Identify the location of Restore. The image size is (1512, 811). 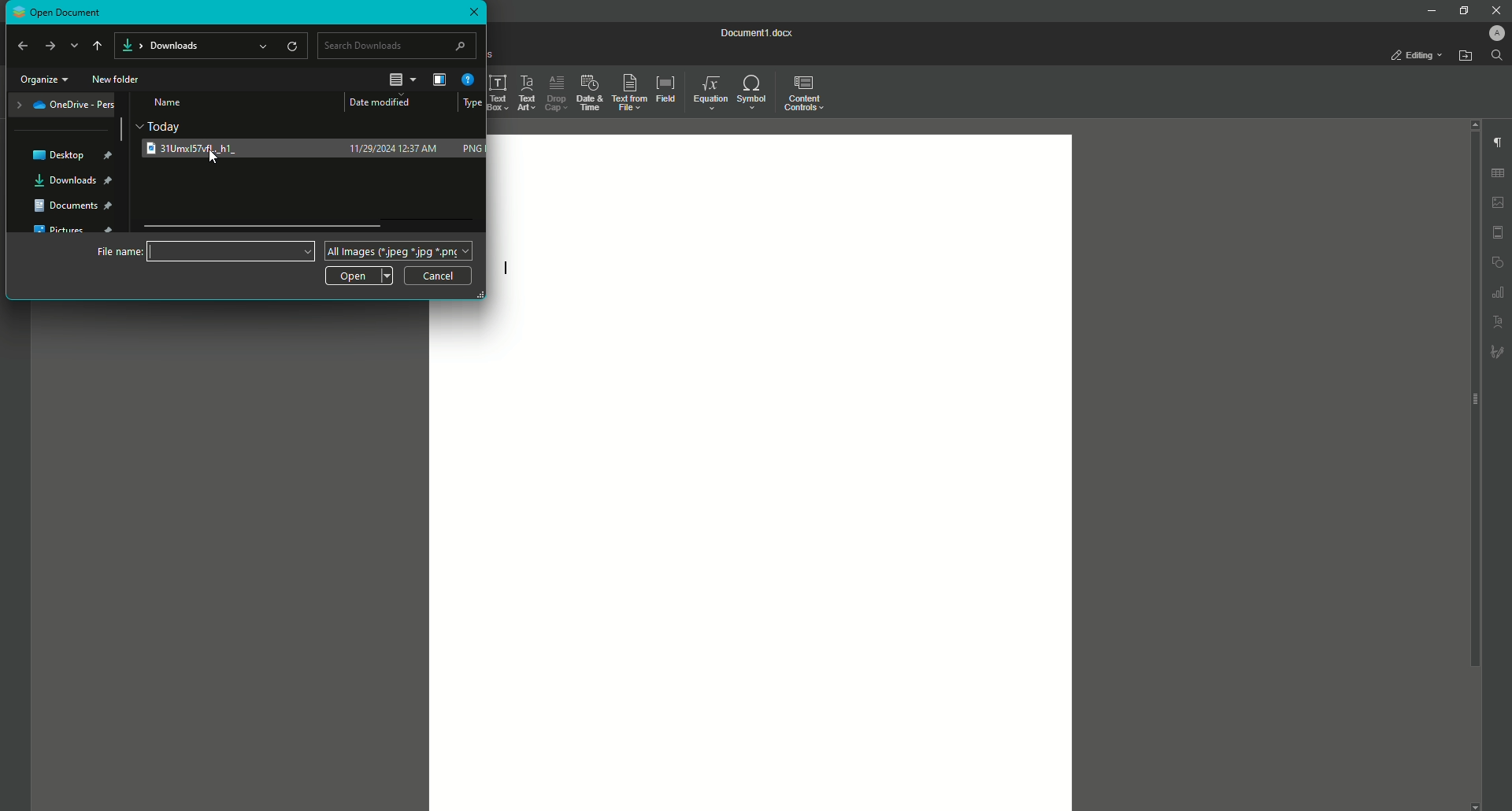
(1462, 9).